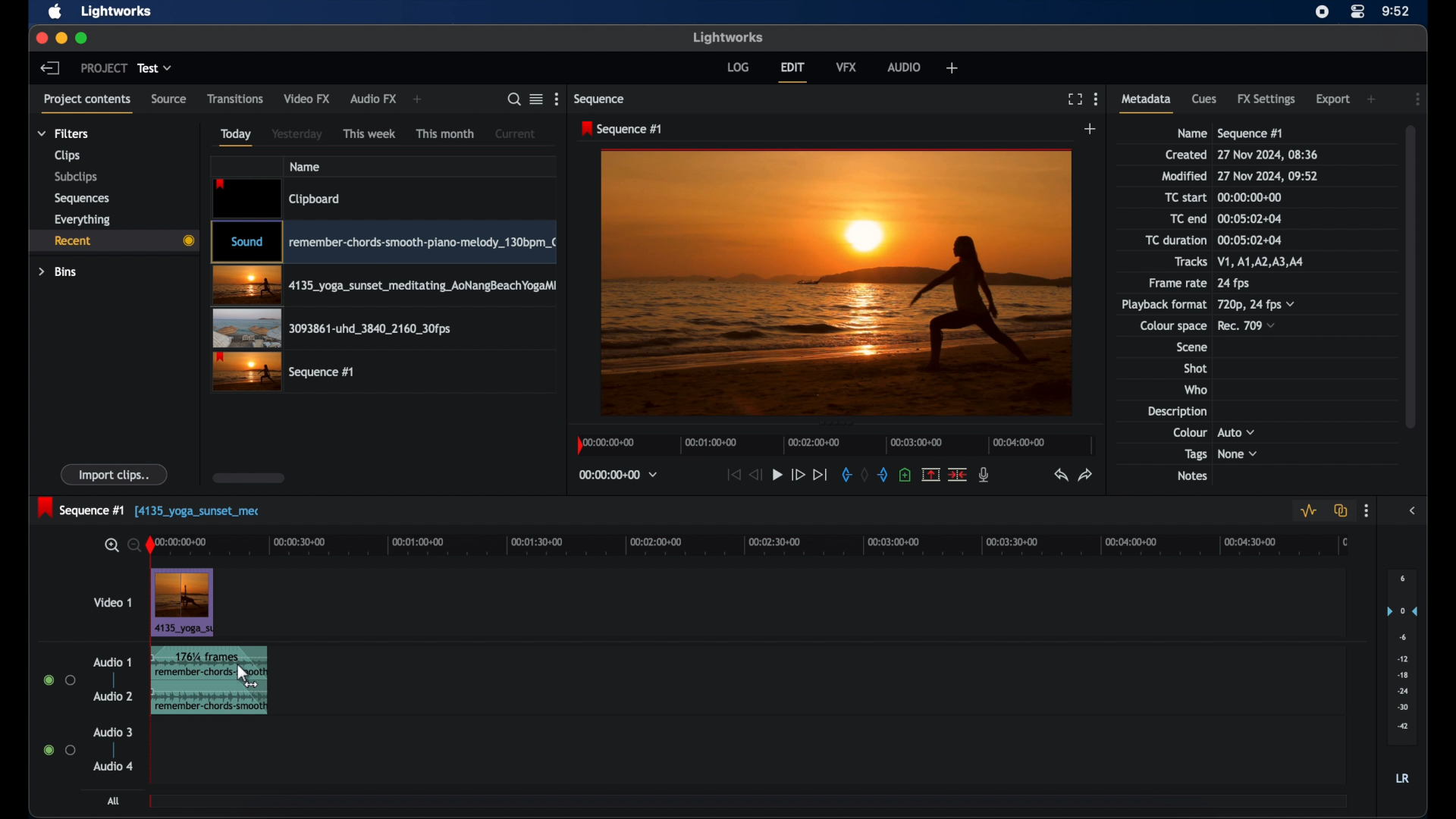 The image size is (1456, 819). Describe the element at coordinates (1086, 474) in the screenshot. I see `redo` at that location.